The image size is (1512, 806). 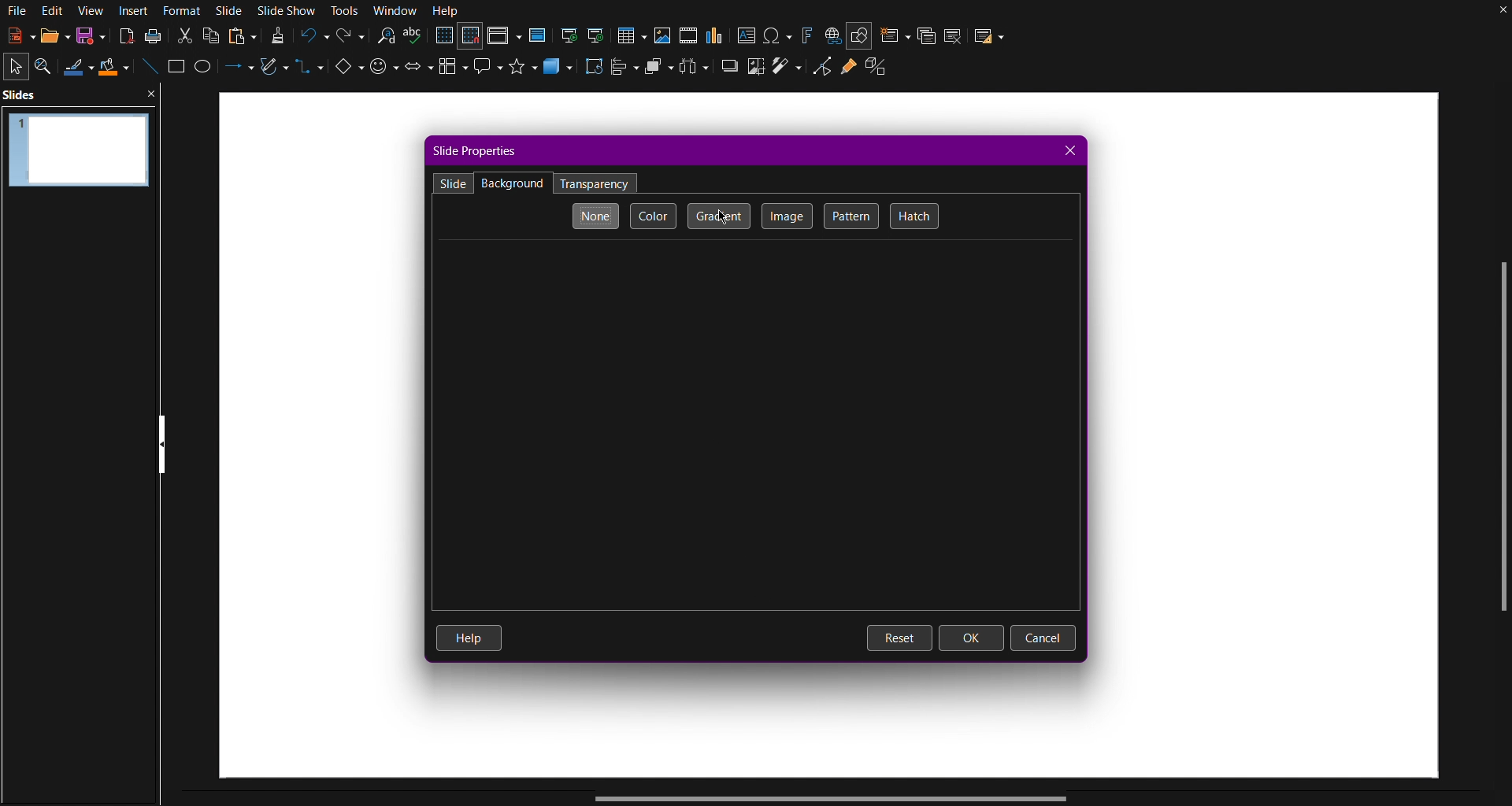 I want to click on 3D Objects, so click(x=560, y=72).